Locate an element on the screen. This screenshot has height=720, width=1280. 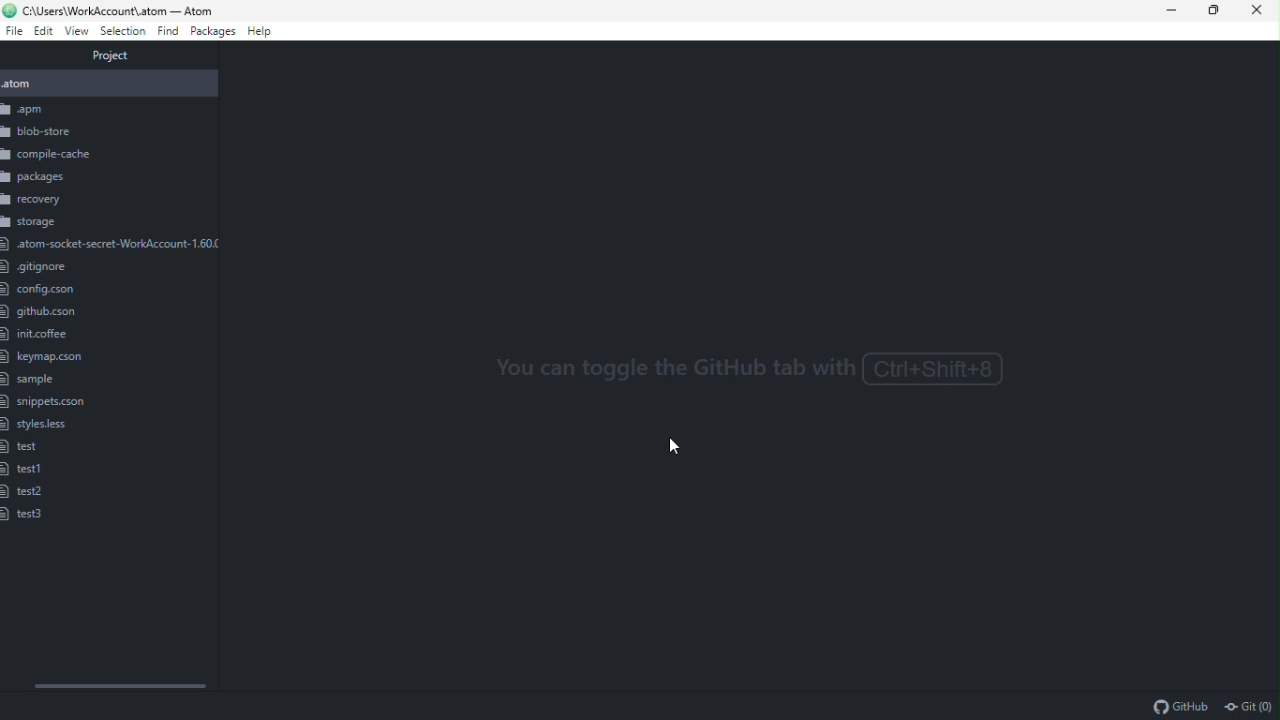
Restore is located at coordinates (1220, 9).